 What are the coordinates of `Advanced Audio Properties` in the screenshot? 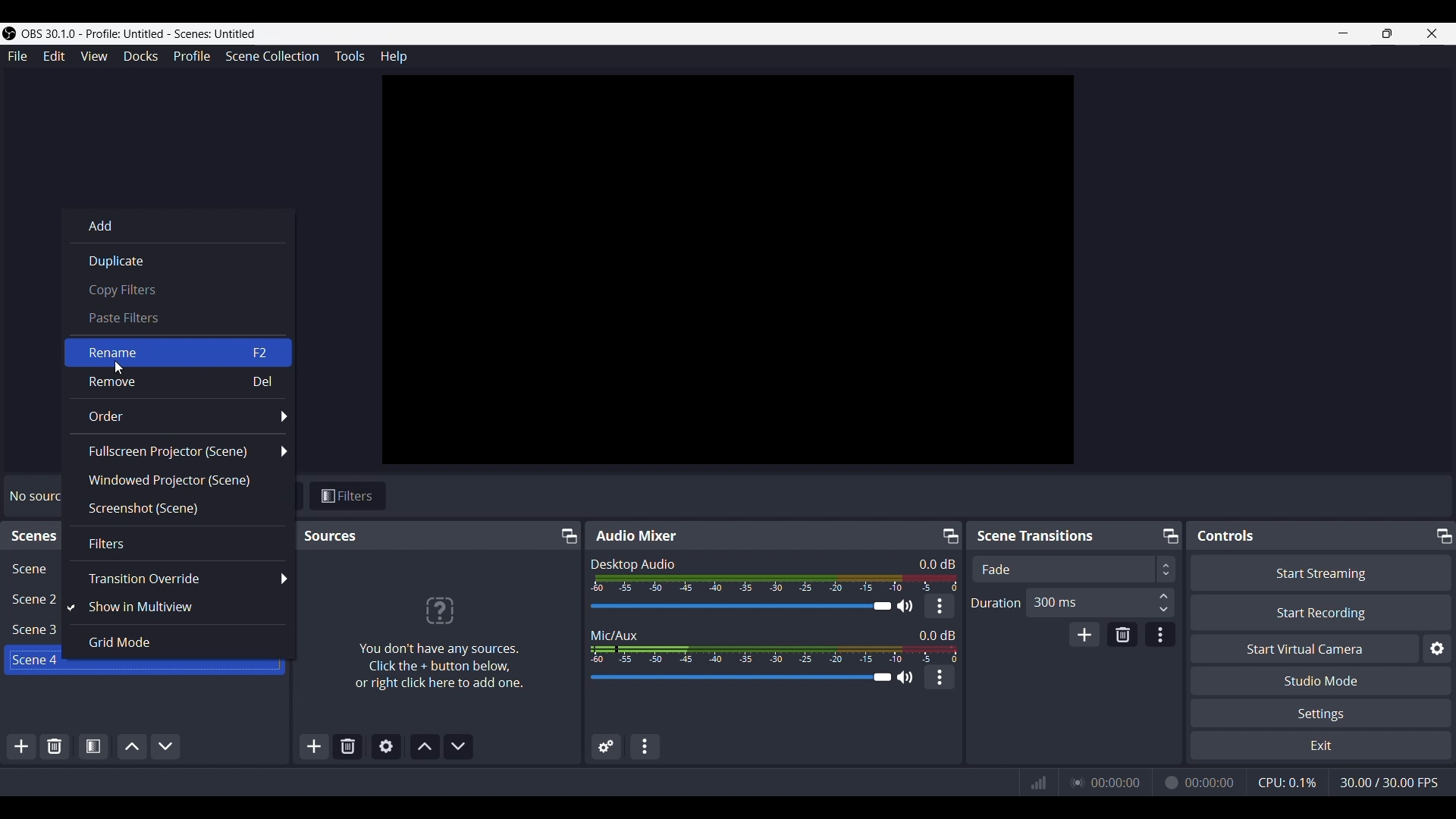 It's located at (606, 748).